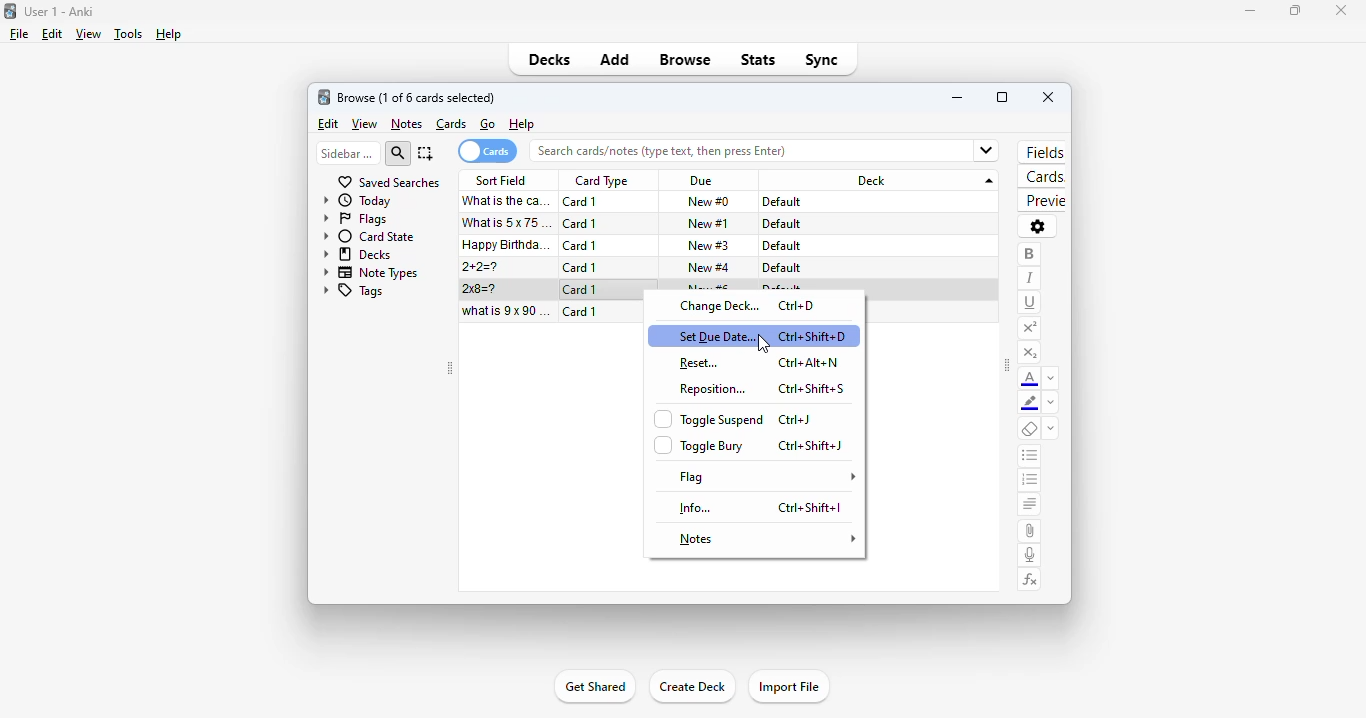 The height and width of the screenshot is (718, 1366). What do you see at coordinates (811, 447) in the screenshot?
I see `Ctrl+Shift+J` at bounding box center [811, 447].